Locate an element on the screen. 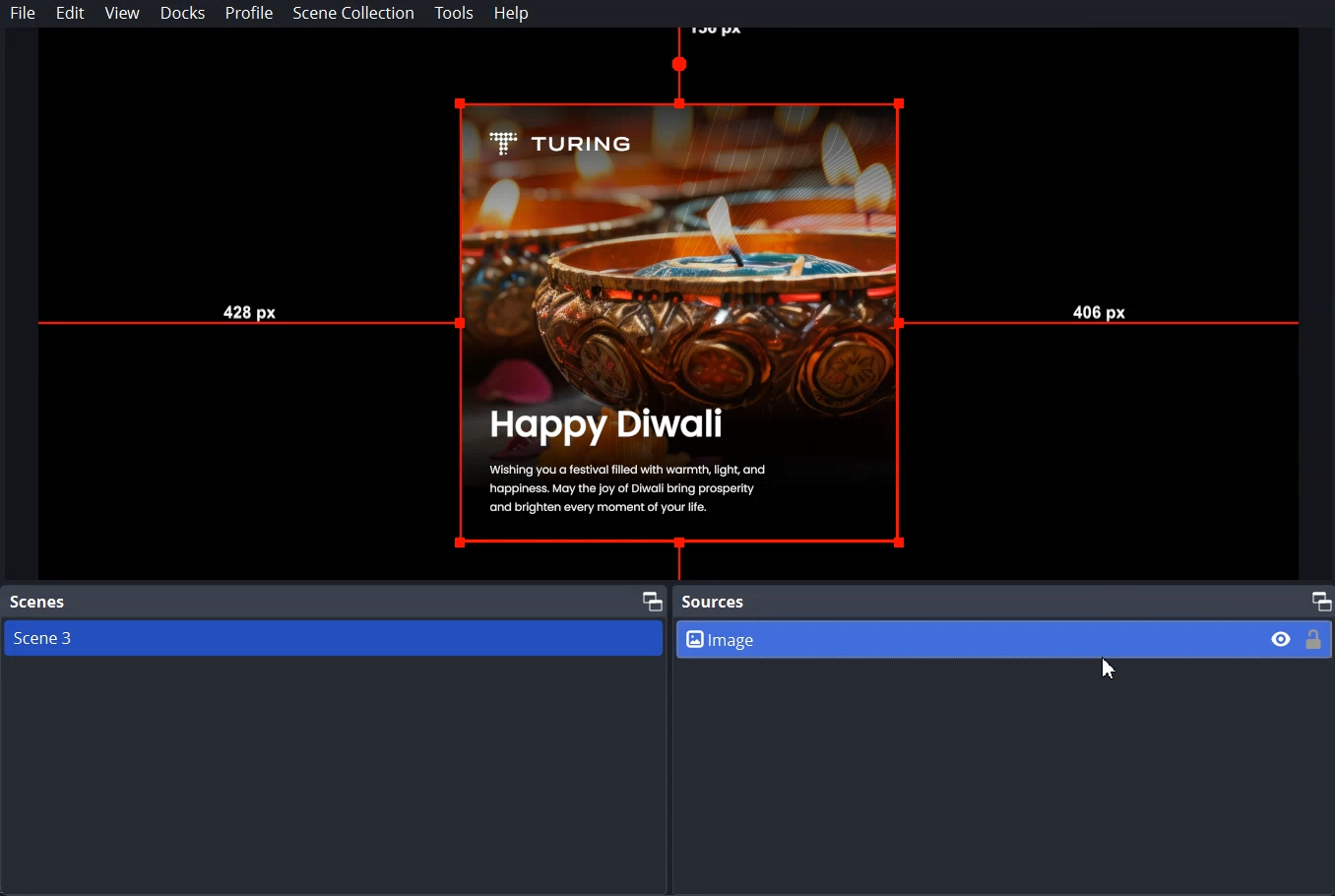 This screenshot has width=1335, height=896. Cursor is located at coordinates (1111, 668).